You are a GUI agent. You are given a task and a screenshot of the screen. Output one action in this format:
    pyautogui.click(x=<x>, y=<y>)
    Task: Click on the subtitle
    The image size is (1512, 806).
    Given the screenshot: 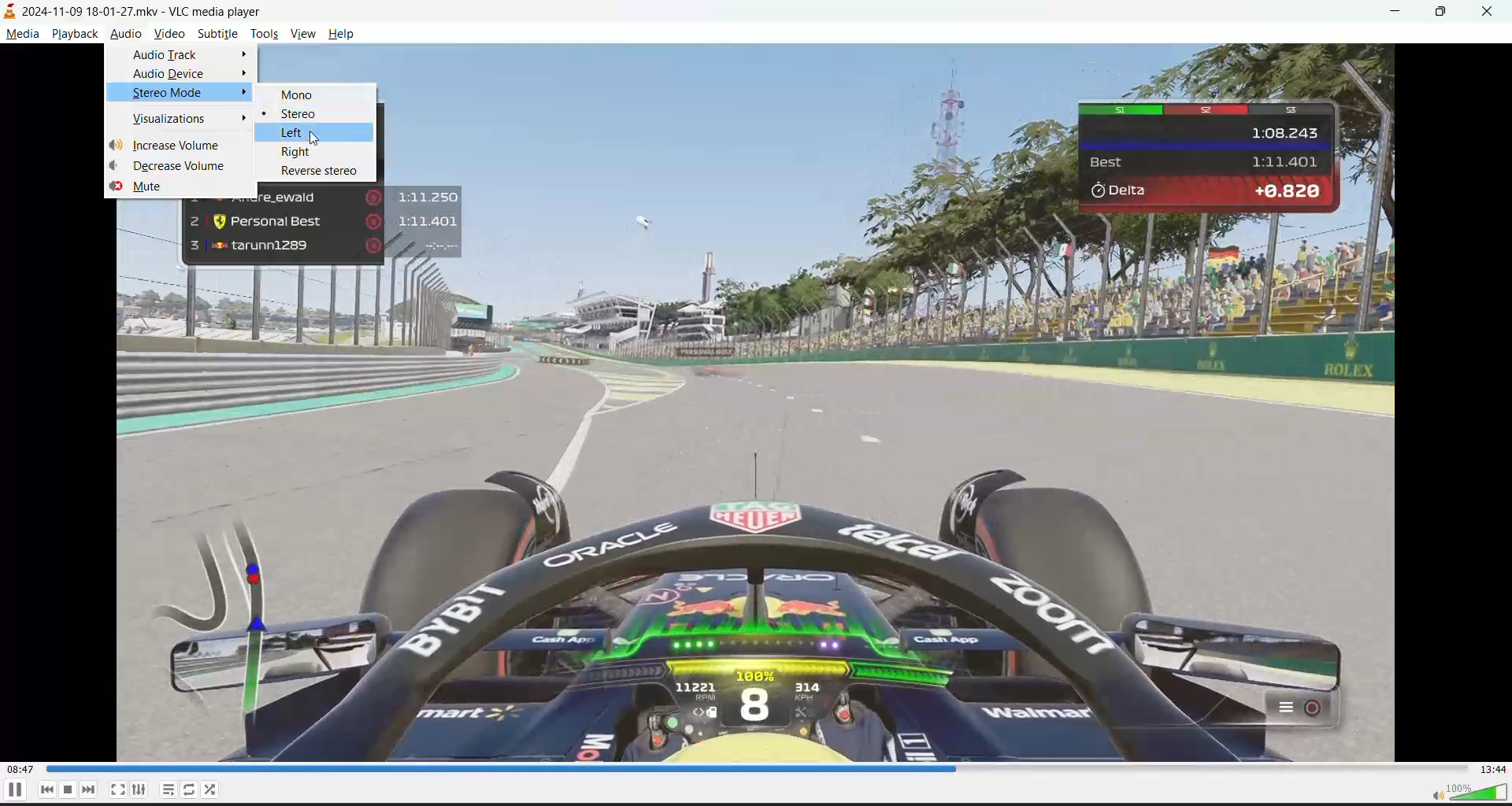 What is the action you would take?
    pyautogui.click(x=217, y=32)
    